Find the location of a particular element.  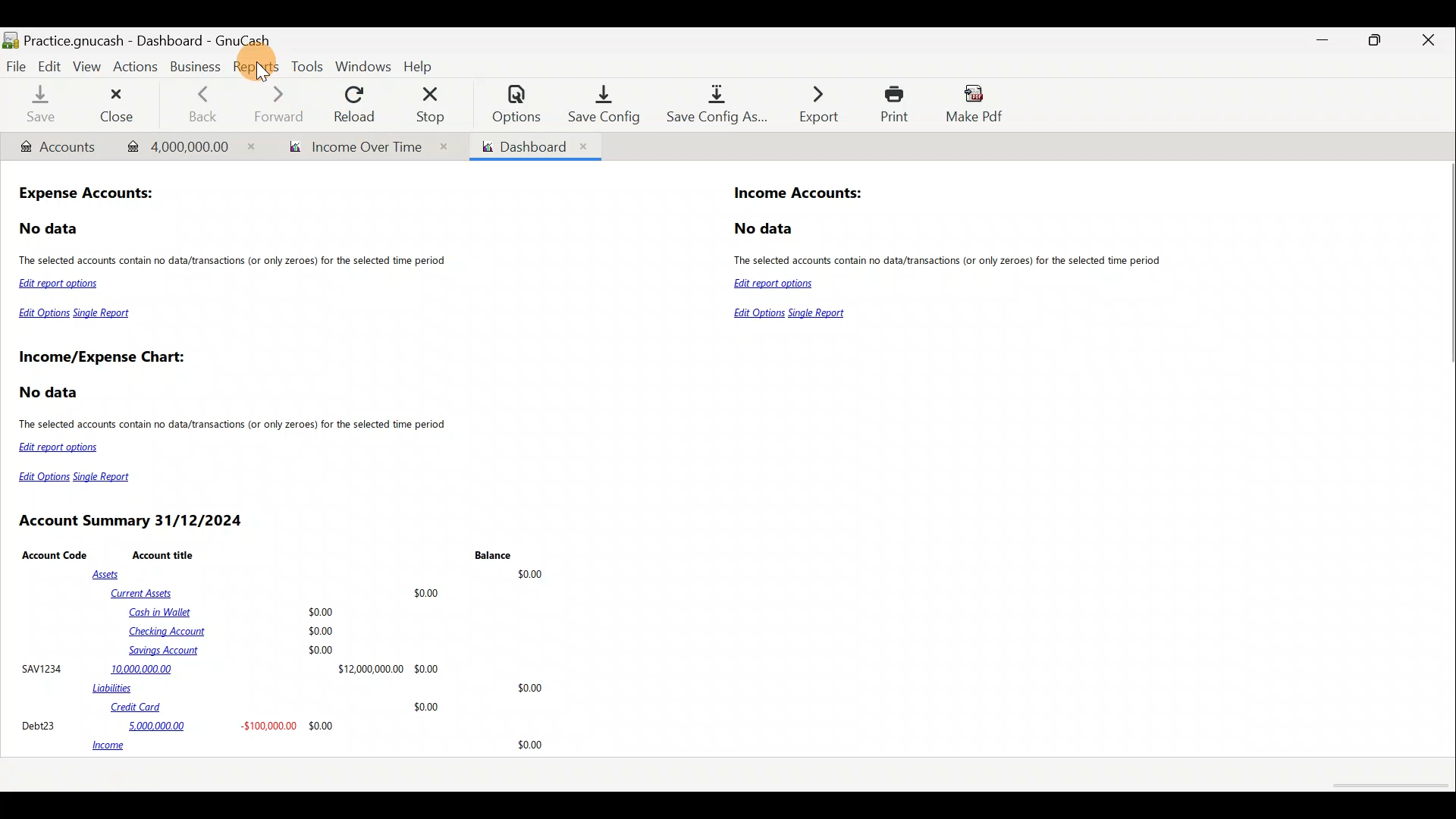

Close is located at coordinates (1429, 42).